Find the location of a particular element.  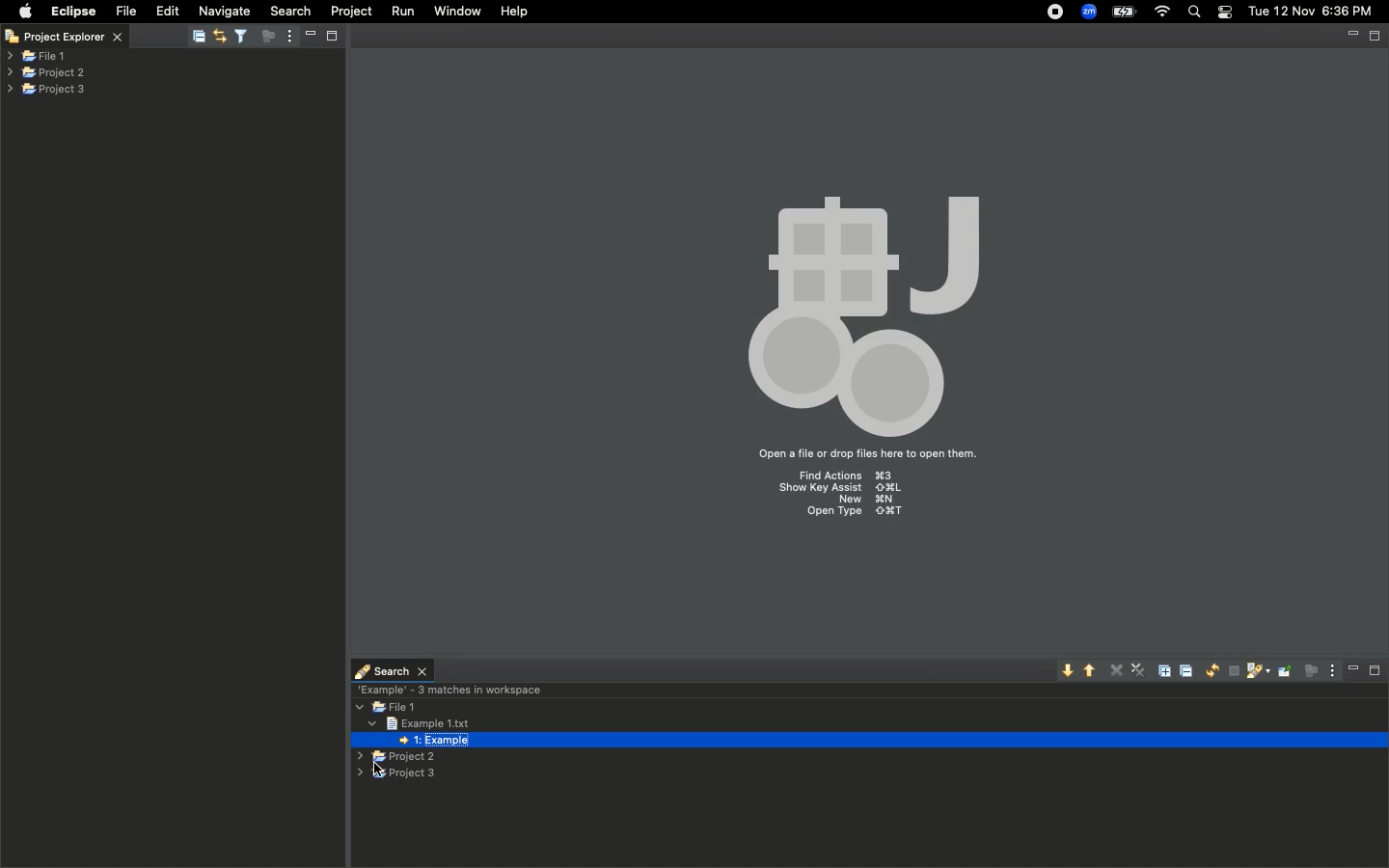

Pin the search view is located at coordinates (1283, 670).